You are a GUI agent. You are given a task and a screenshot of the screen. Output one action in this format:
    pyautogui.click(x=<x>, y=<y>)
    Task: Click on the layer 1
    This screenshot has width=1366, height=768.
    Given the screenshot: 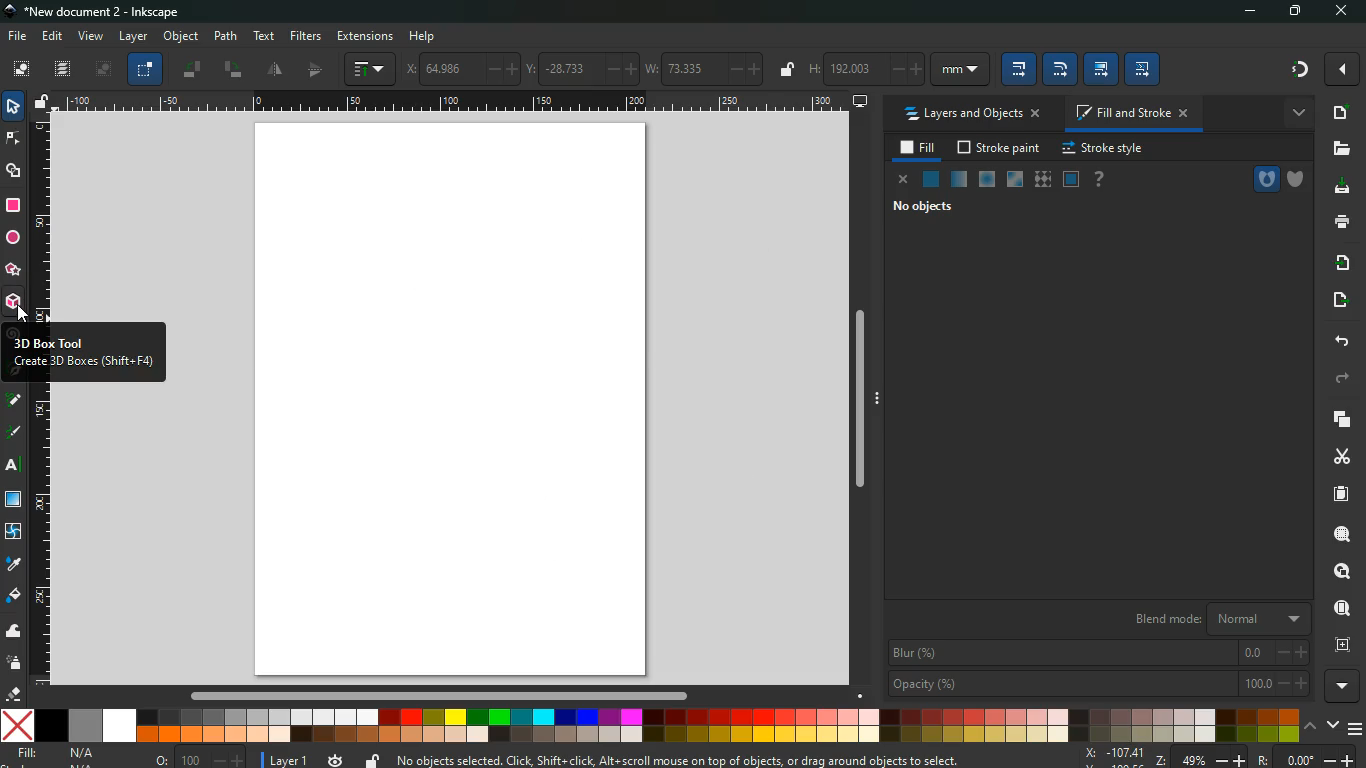 What is the action you would take?
    pyautogui.click(x=290, y=757)
    